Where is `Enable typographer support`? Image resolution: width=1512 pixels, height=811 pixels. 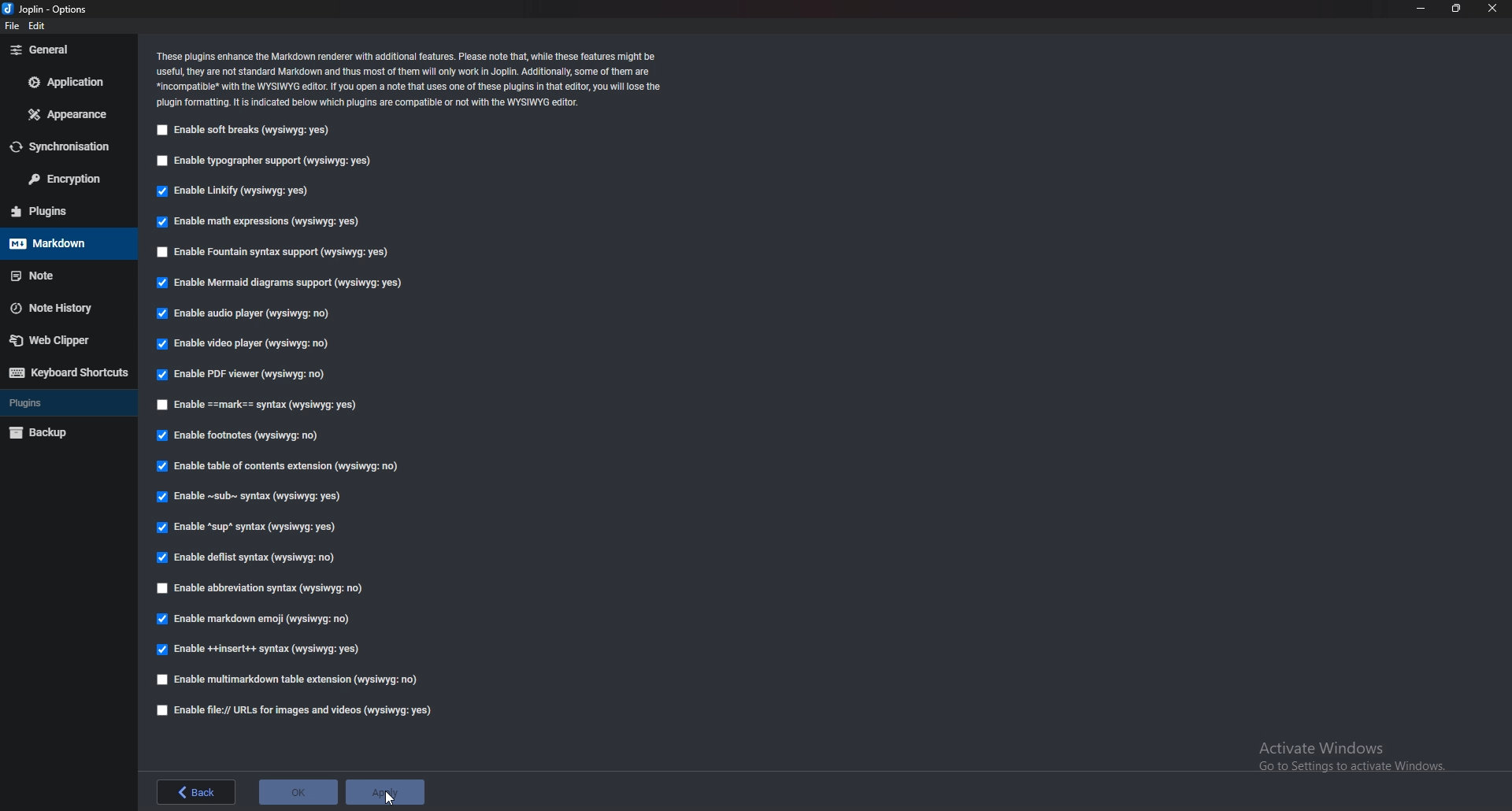
Enable typographer support is located at coordinates (265, 161).